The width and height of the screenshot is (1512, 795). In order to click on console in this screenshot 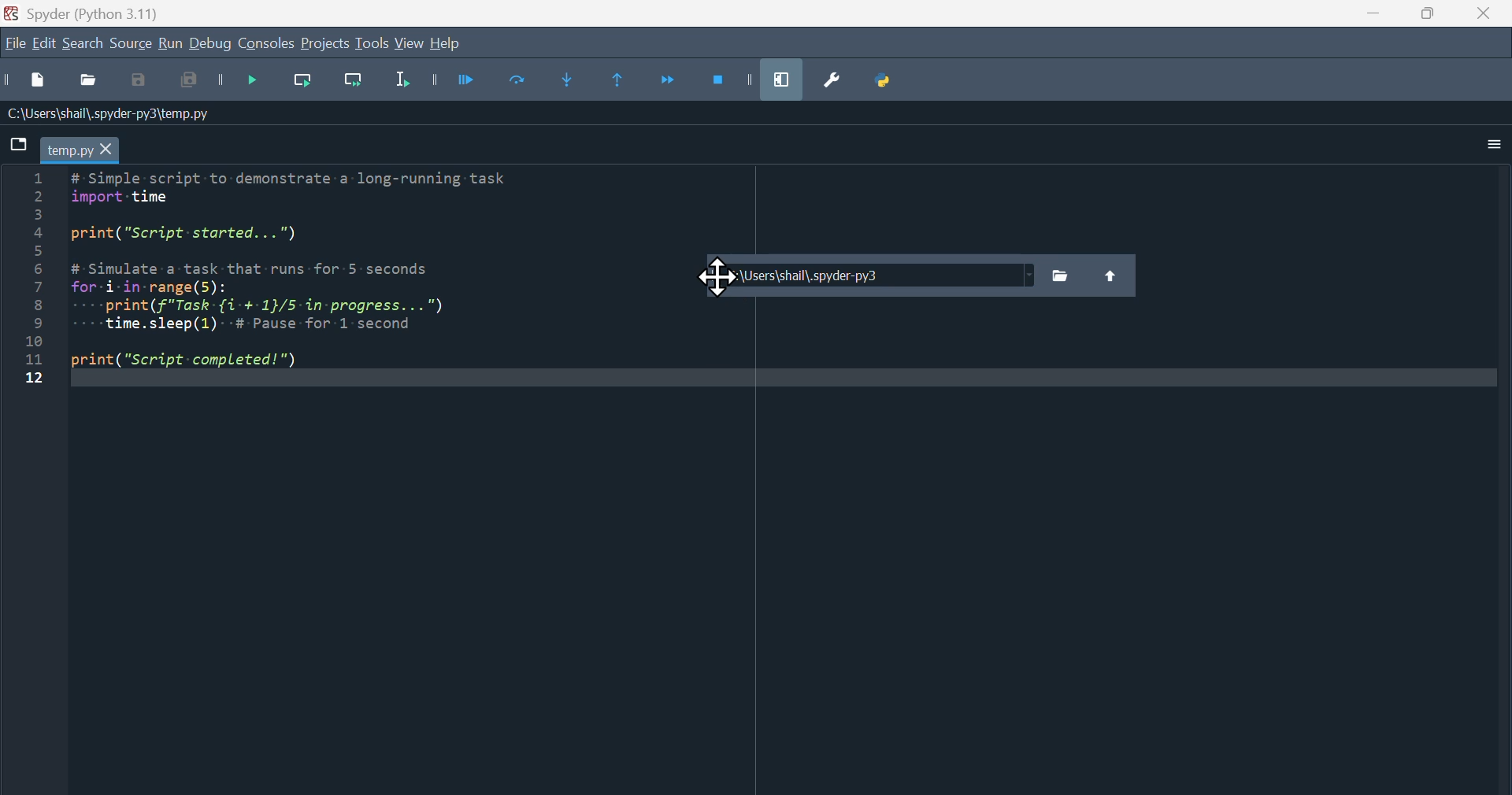, I will do `click(268, 43)`.